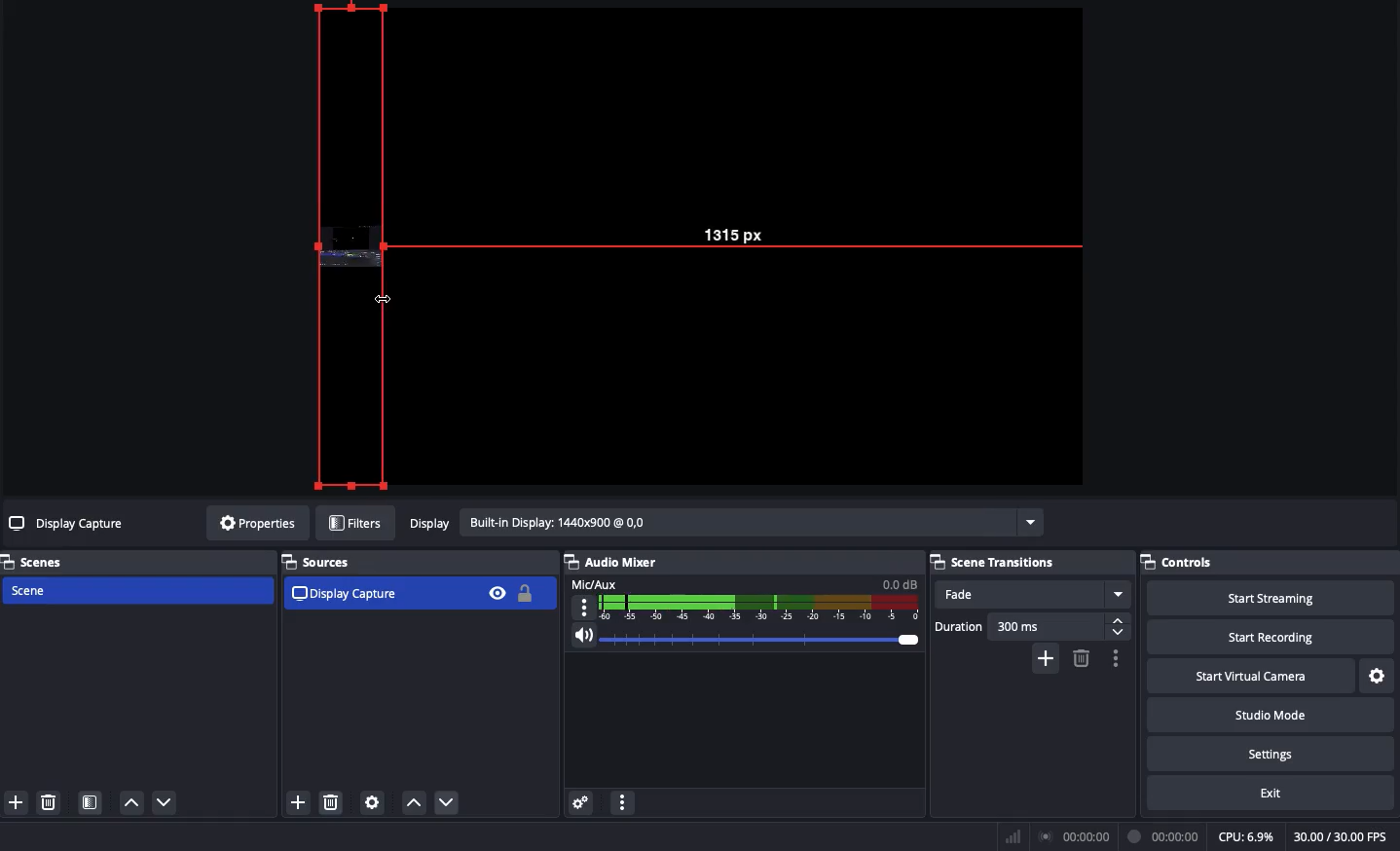 The width and height of the screenshot is (1400, 851). Describe the element at coordinates (1032, 595) in the screenshot. I see `Fade` at that location.